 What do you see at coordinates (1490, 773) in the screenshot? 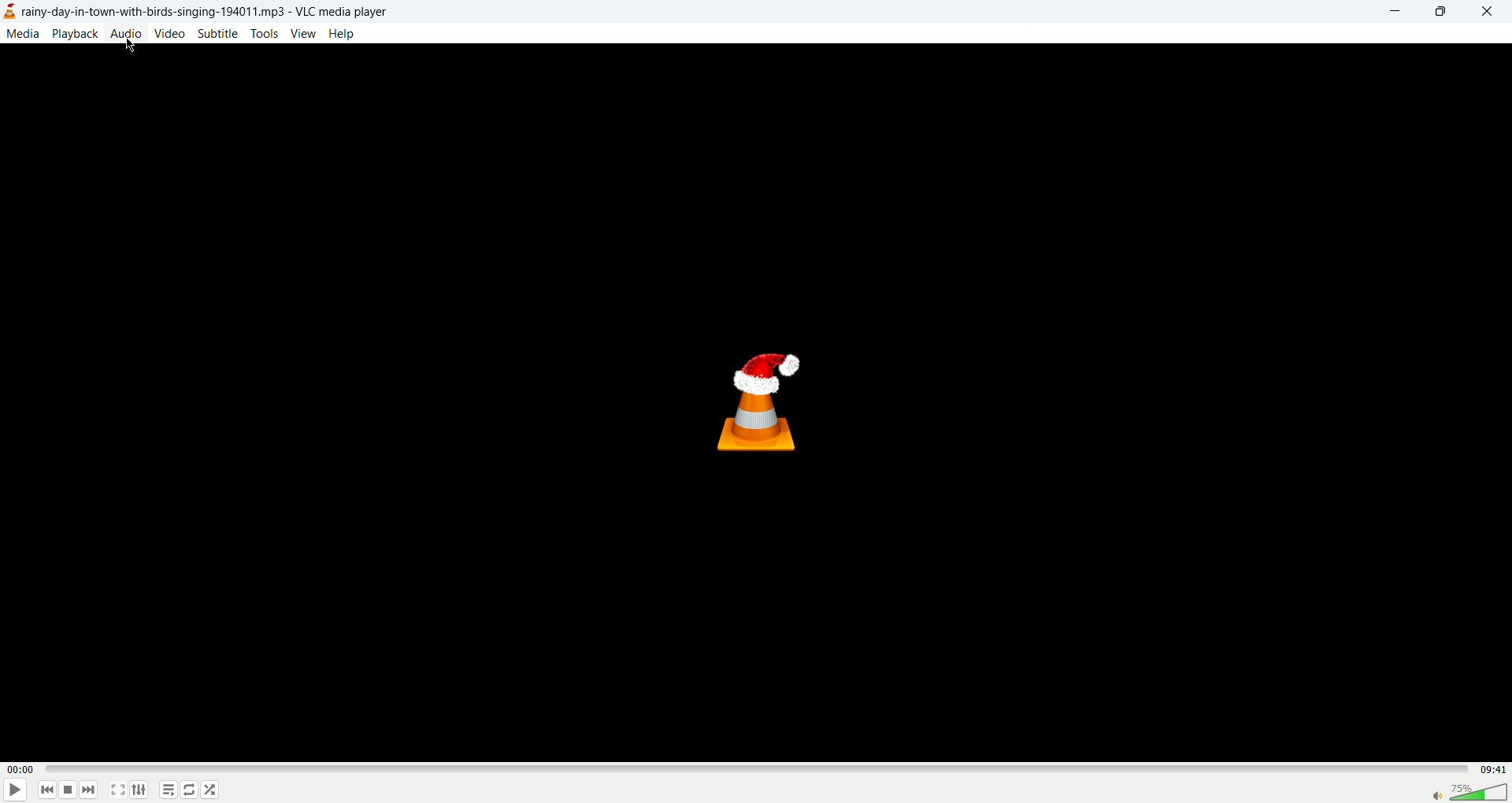
I see `total time` at bounding box center [1490, 773].